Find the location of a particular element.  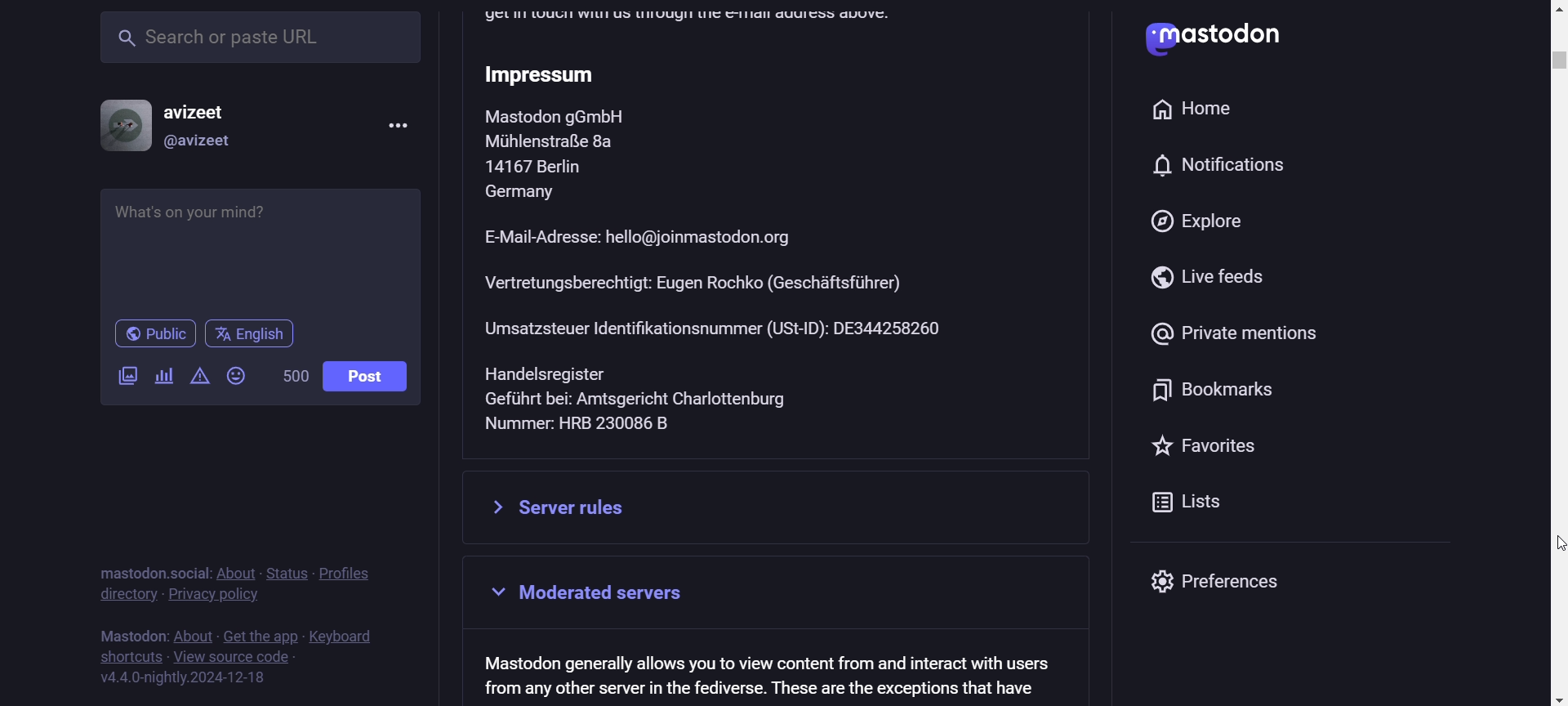

shortucts is located at coordinates (130, 656).